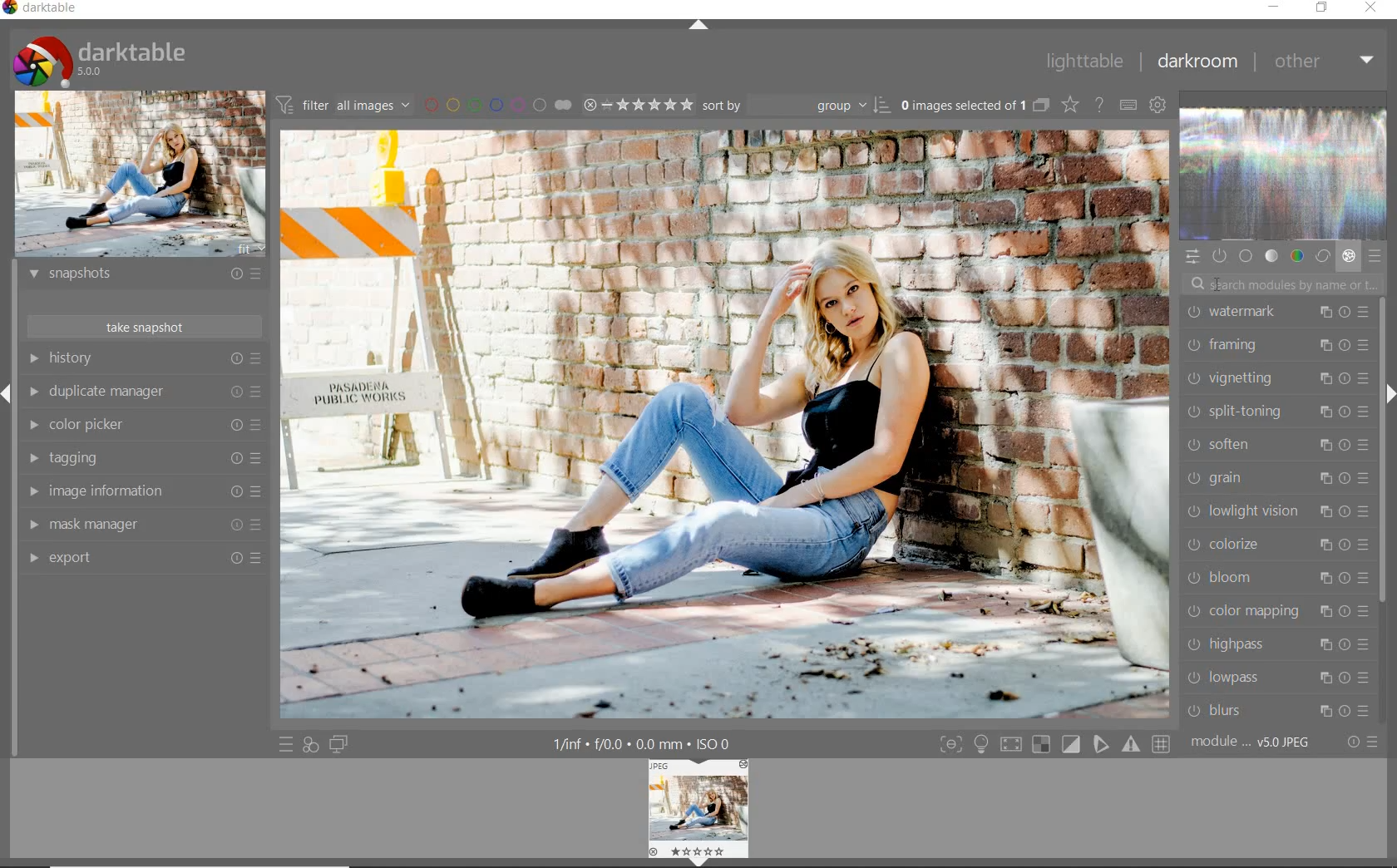 Image resolution: width=1397 pixels, height=868 pixels. What do you see at coordinates (1273, 611) in the screenshot?
I see `color mapping` at bounding box center [1273, 611].